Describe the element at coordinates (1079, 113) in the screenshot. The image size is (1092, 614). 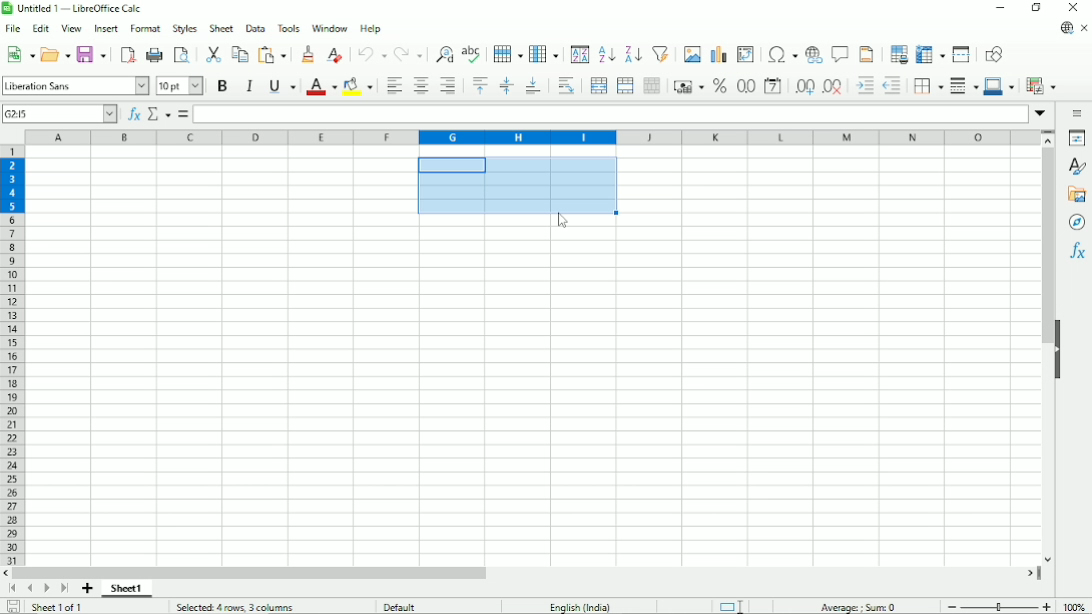
I see `Sidebar settings` at that location.